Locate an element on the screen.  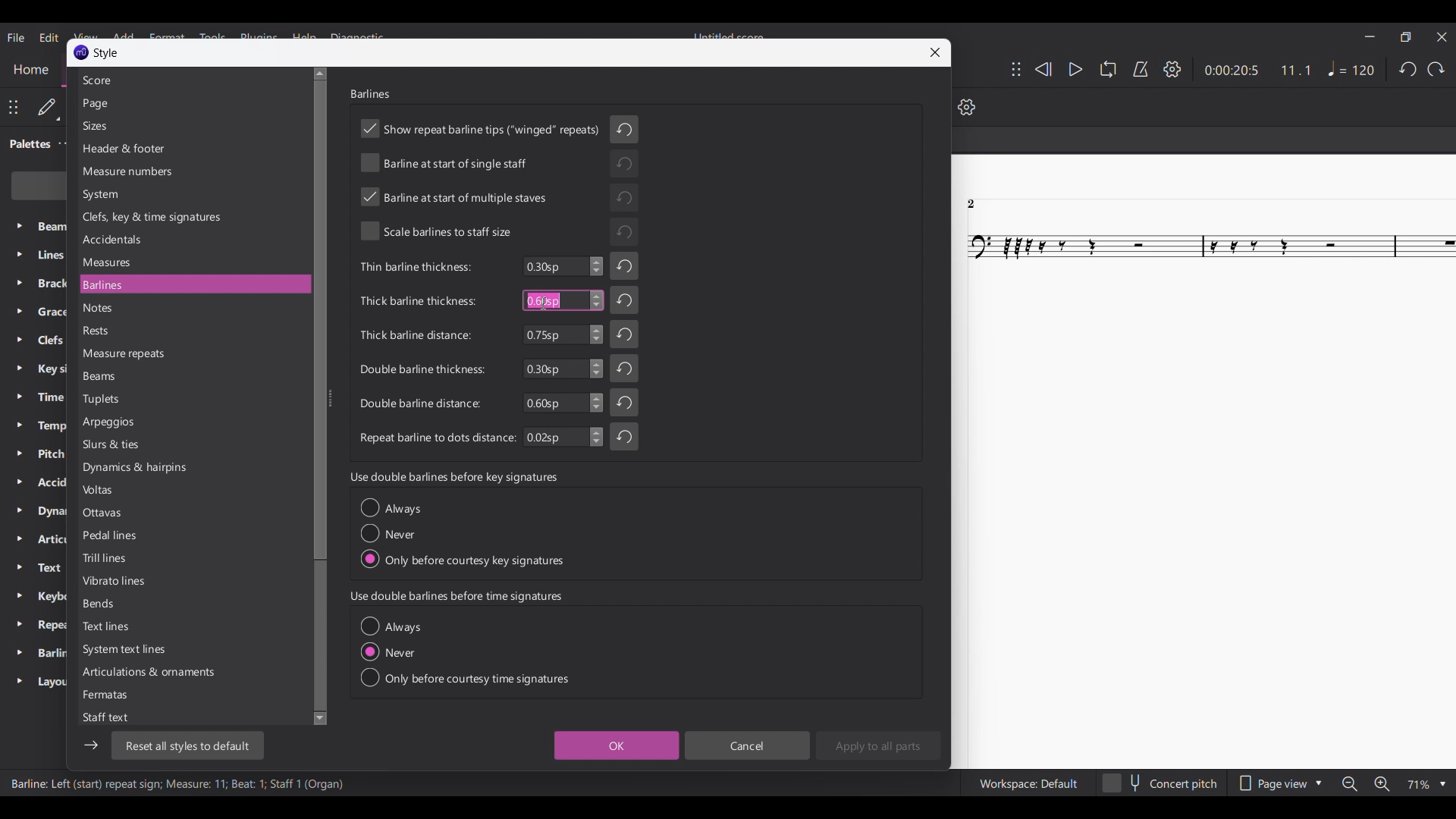
Indicates barline setting options is located at coordinates (435, 353).